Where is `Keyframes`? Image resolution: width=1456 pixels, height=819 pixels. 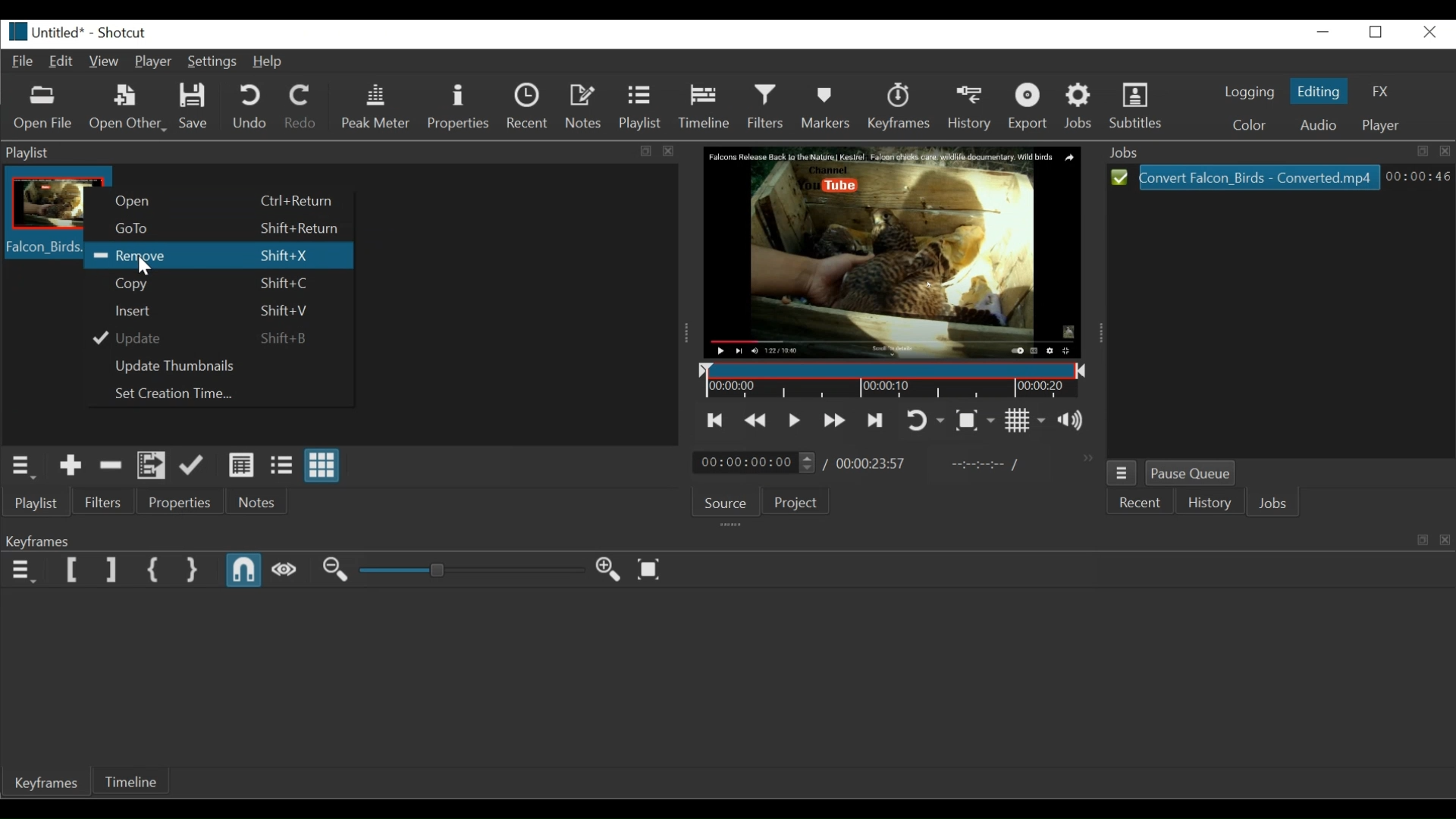
Keyframes is located at coordinates (899, 106).